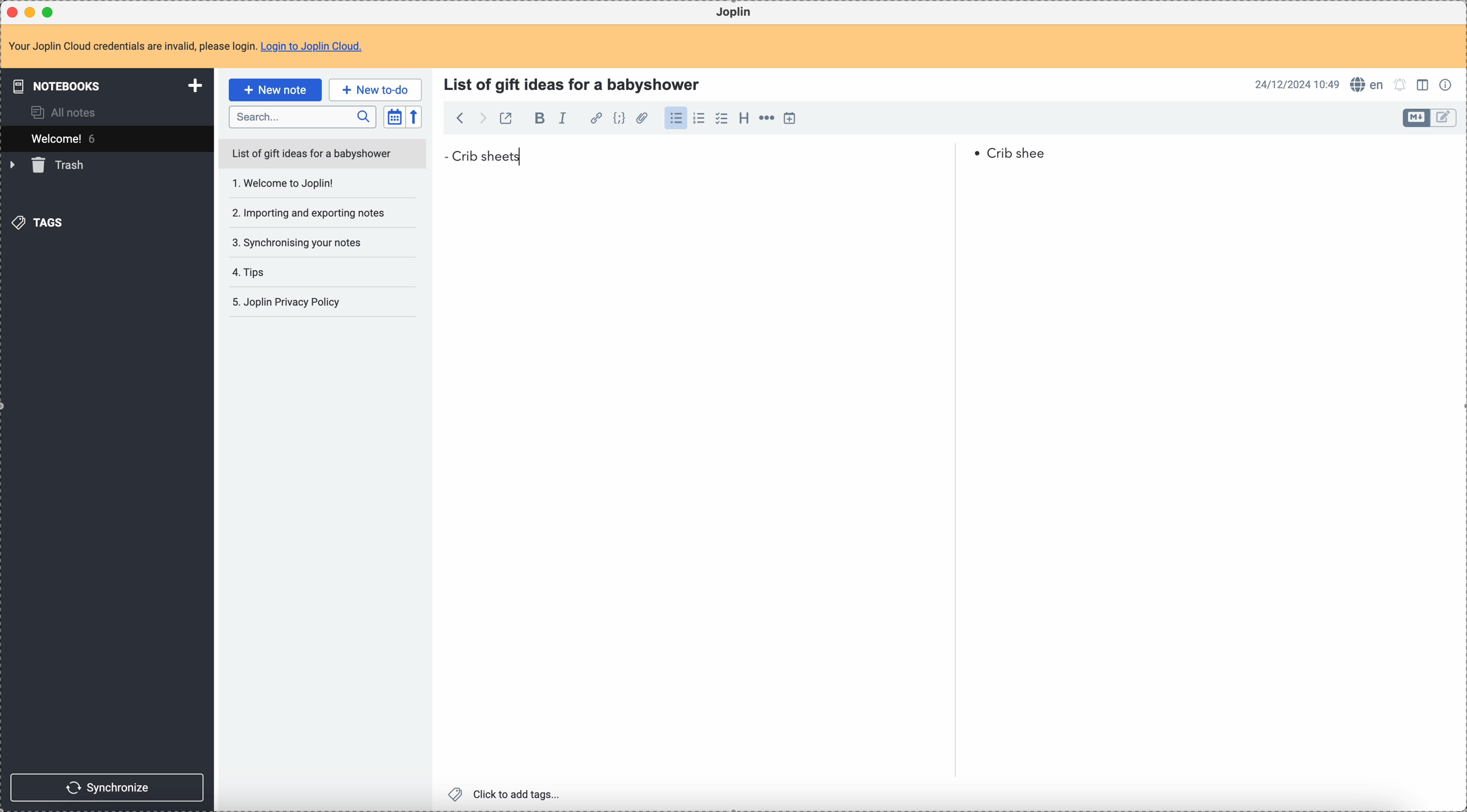  What do you see at coordinates (461, 118) in the screenshot?
I see `back` at bounding box center [461, 118].